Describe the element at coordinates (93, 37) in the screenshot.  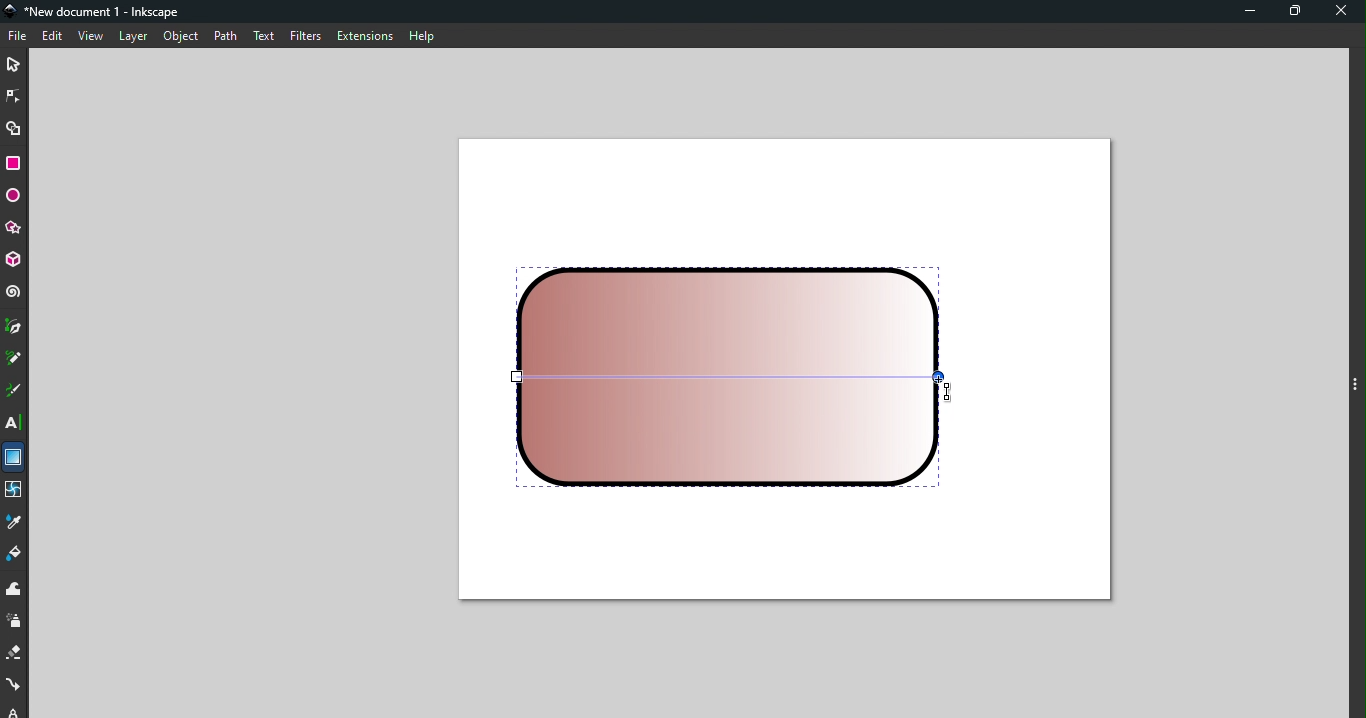
I see `View` at that location.